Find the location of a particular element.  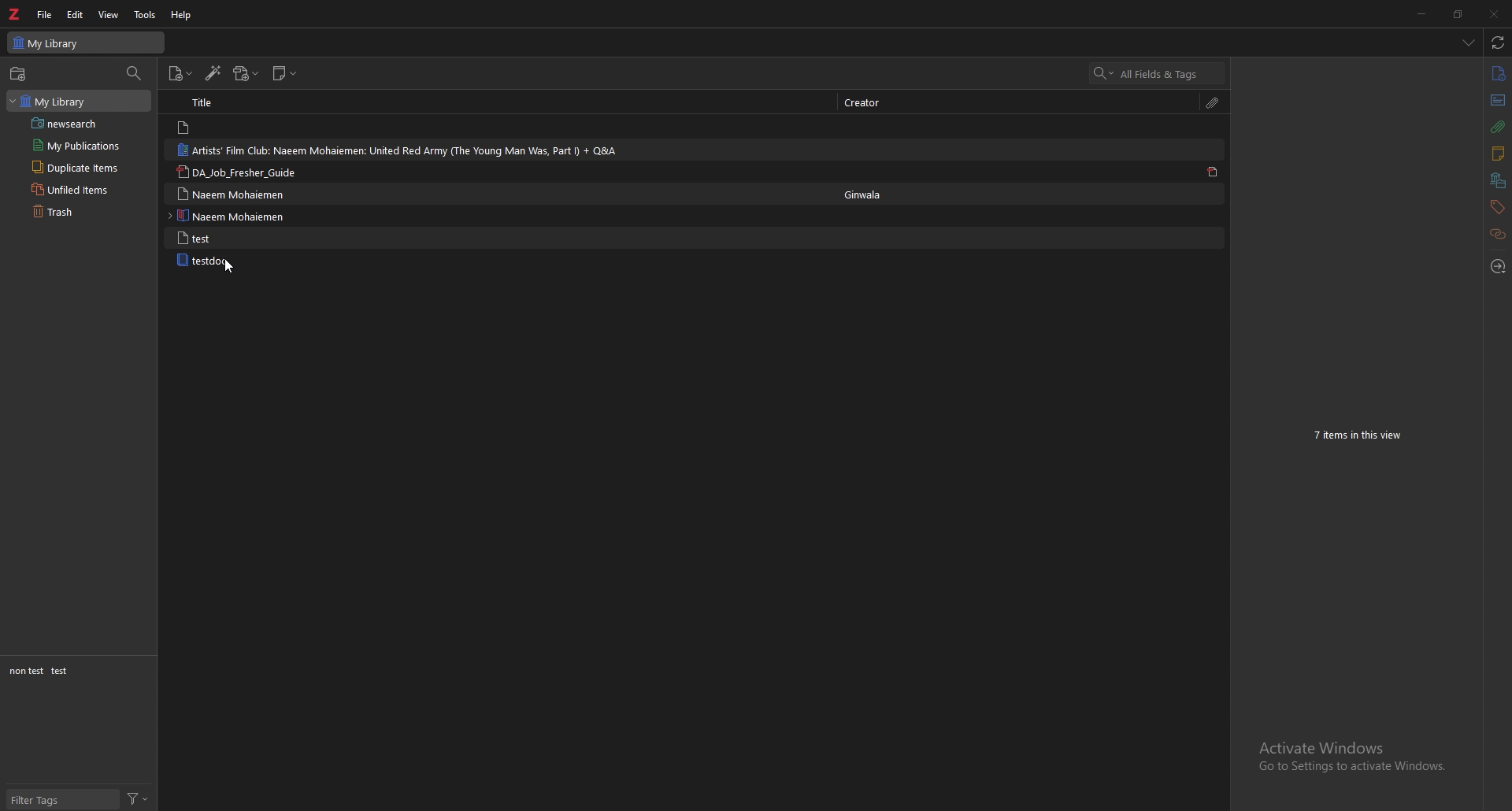

note is located at coordinates (217, 128).